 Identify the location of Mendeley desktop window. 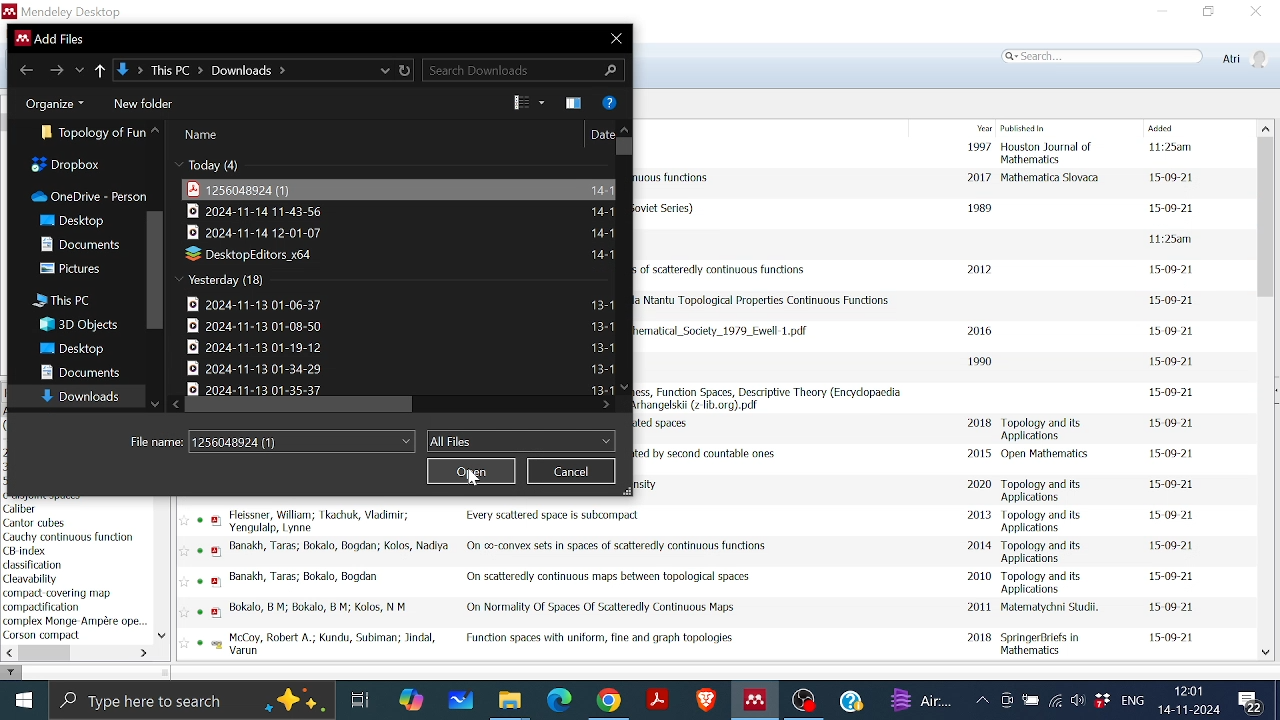
(64, 11).